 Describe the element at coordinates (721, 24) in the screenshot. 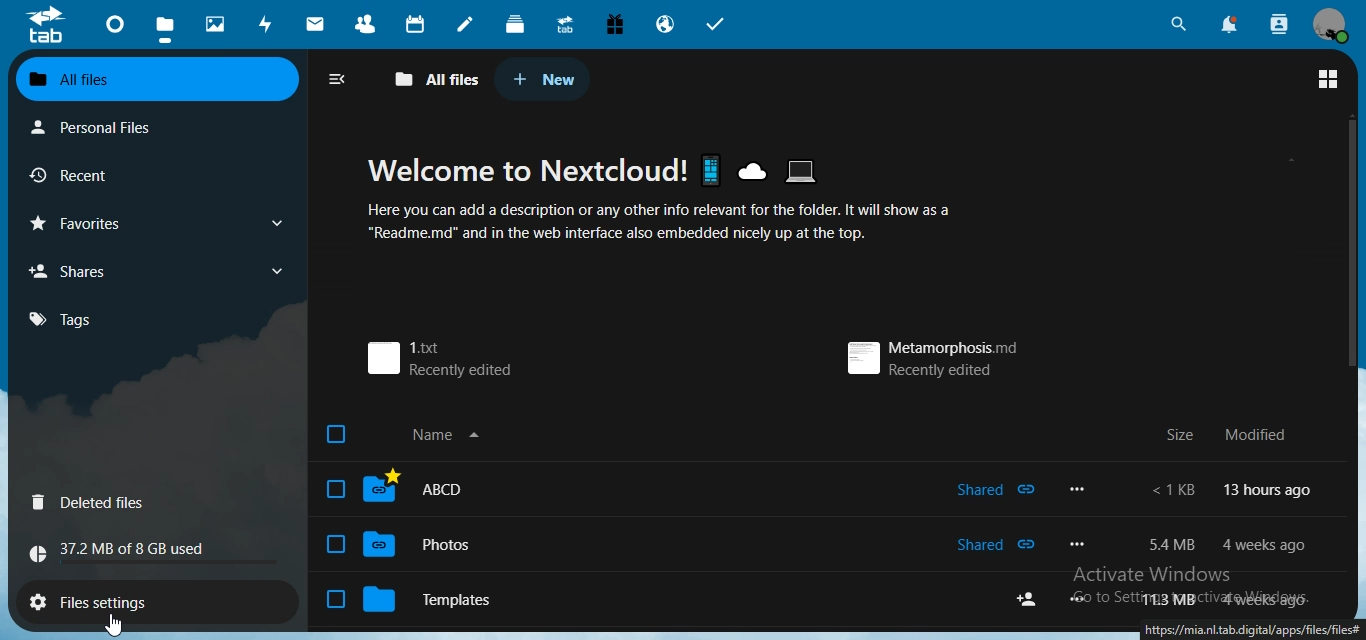

I see `tasks` at that location.